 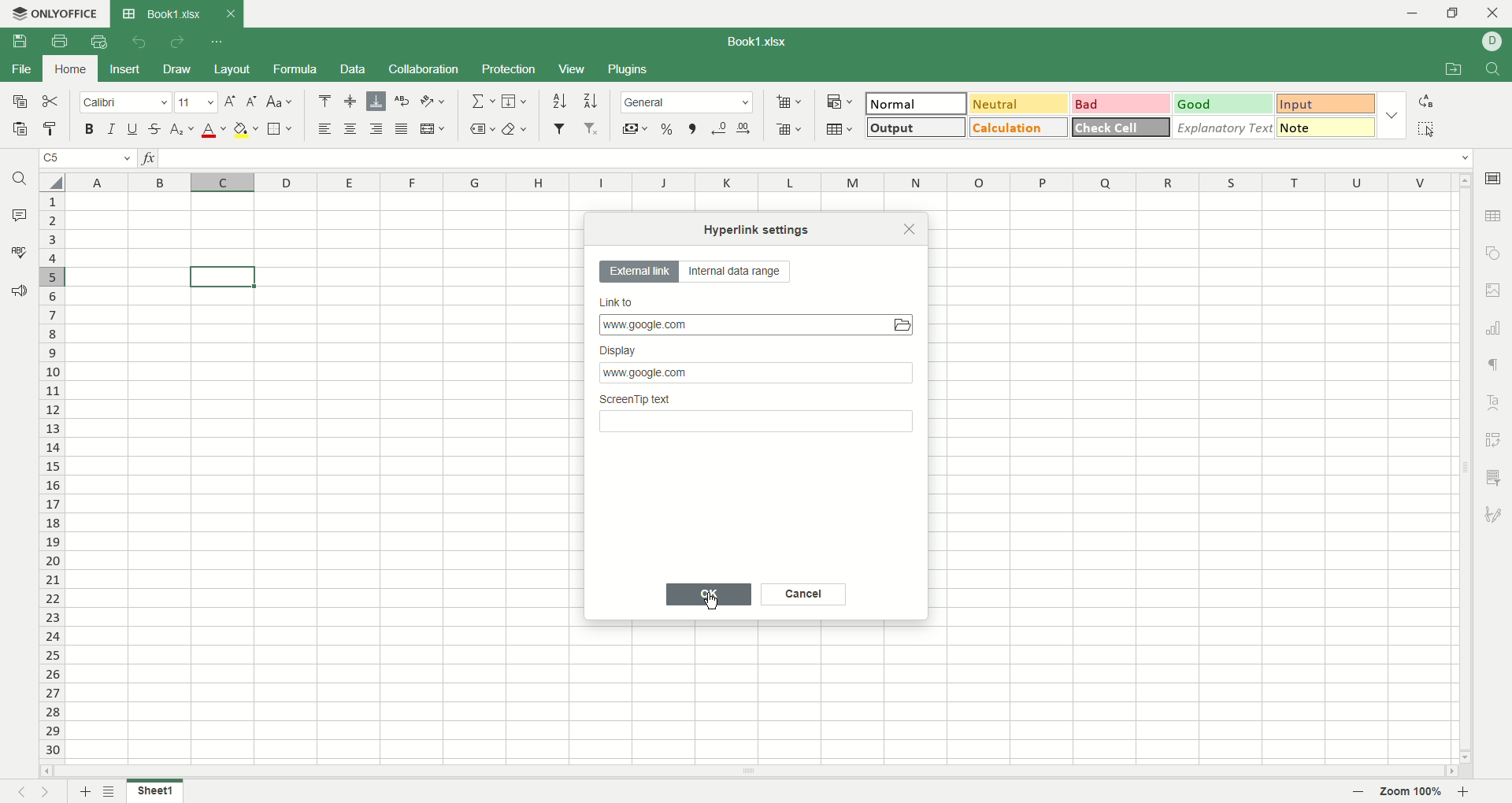 I want to click on pivot settings, so click(x=1495, y=439).